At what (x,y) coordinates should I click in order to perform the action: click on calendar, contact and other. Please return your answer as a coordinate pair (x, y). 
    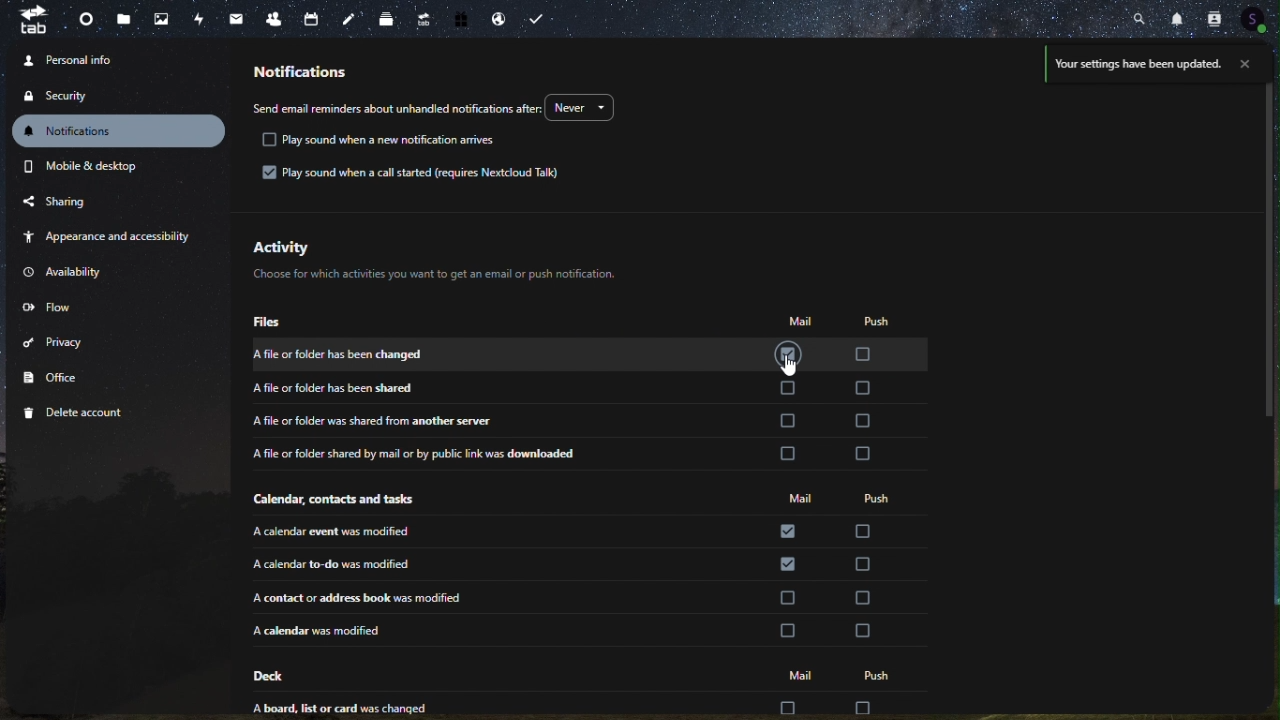
    Looking at the image, I should click on (342, 497).